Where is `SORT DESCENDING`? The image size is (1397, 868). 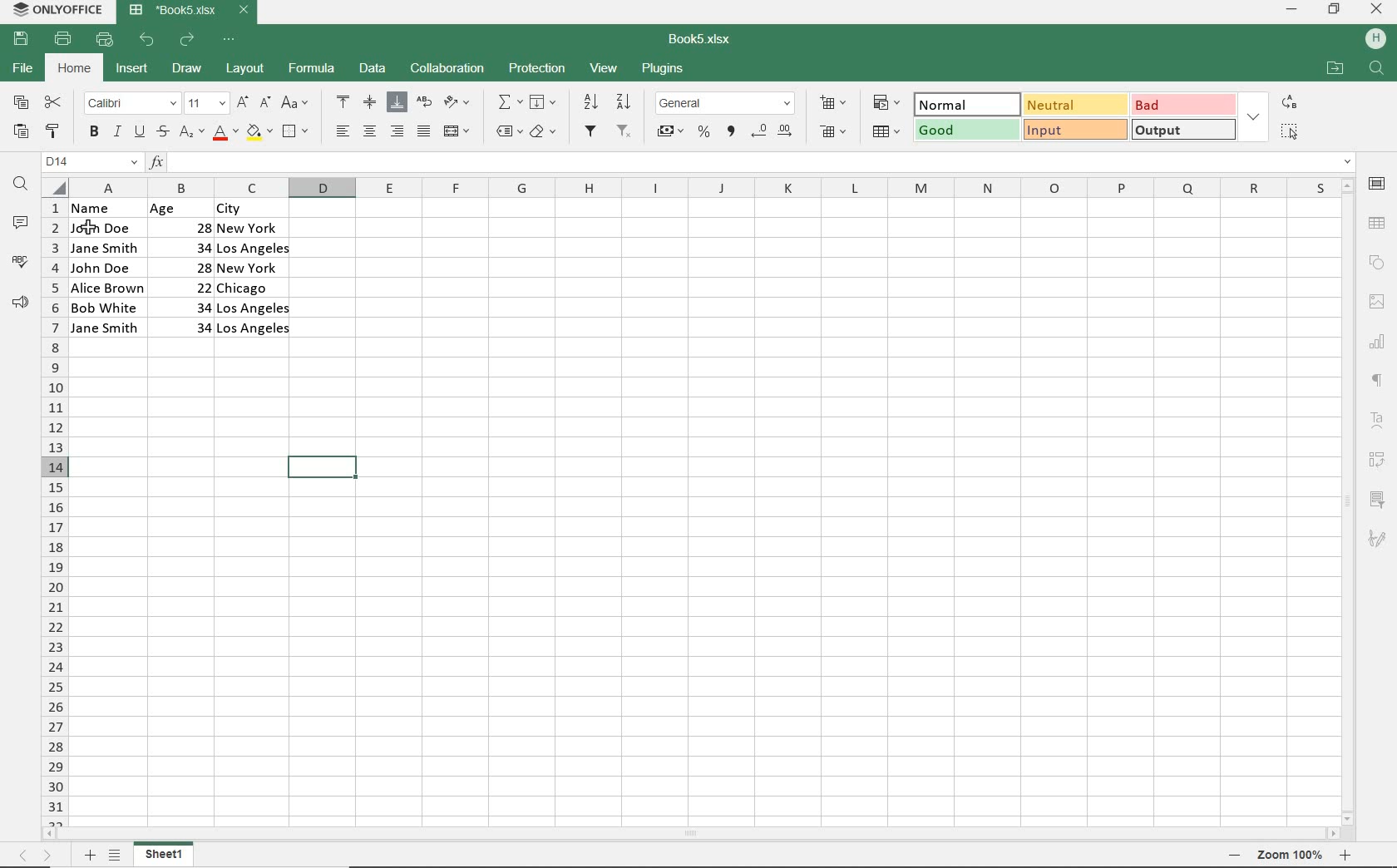
SORT DESCENDING is located at coordinates (625, 101).